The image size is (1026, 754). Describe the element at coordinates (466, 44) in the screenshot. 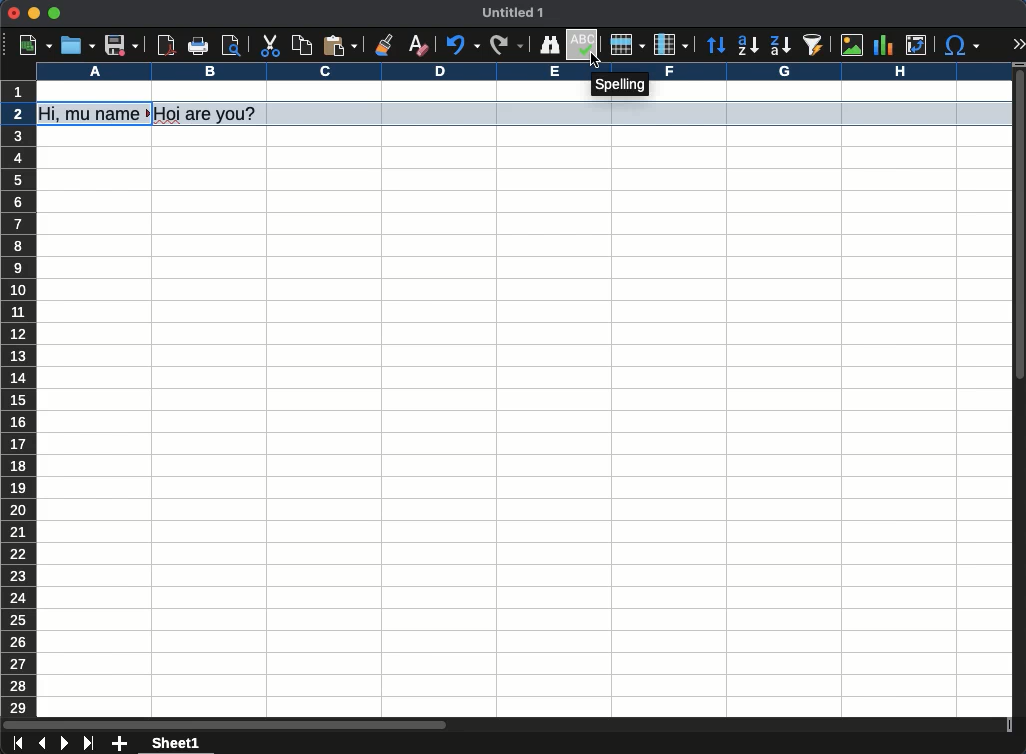

I see `undo` at that location.